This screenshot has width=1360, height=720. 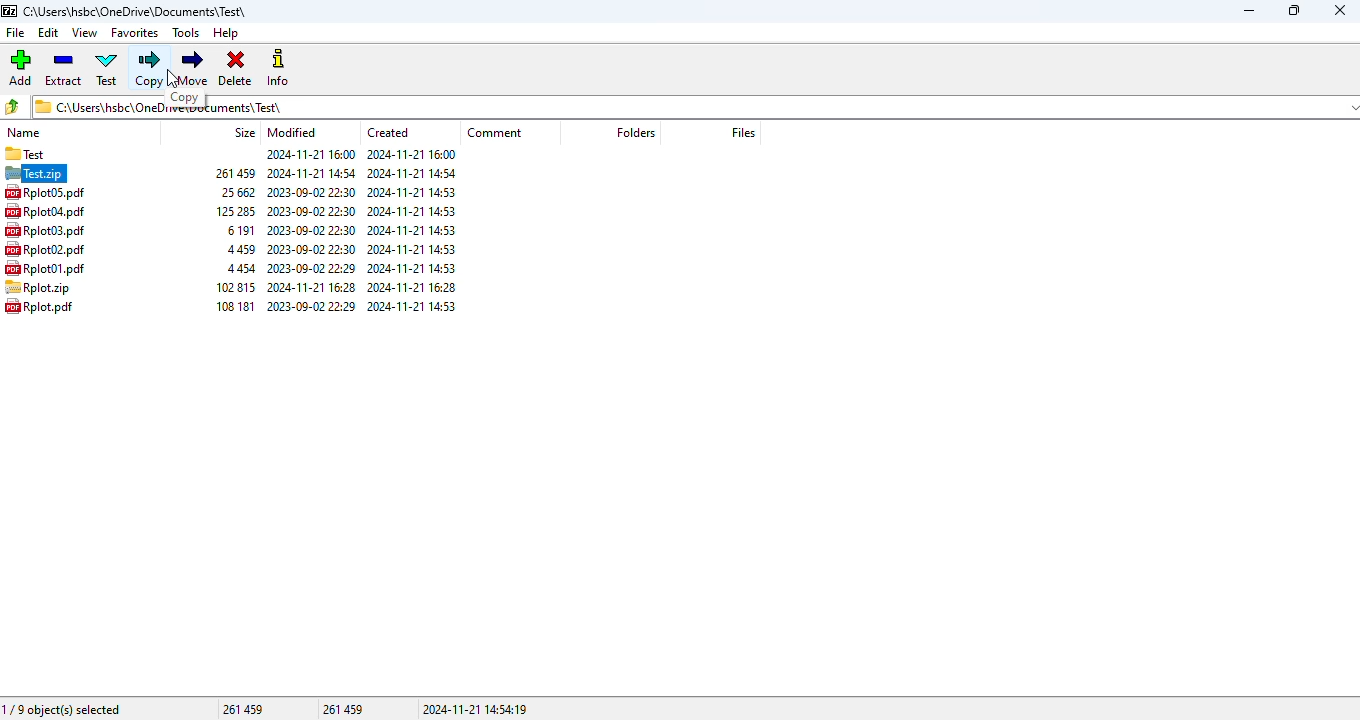 What do you see at coordinates (12, 106) in the screenshot?
I see `browse folders` at bounding box center [12, 106].